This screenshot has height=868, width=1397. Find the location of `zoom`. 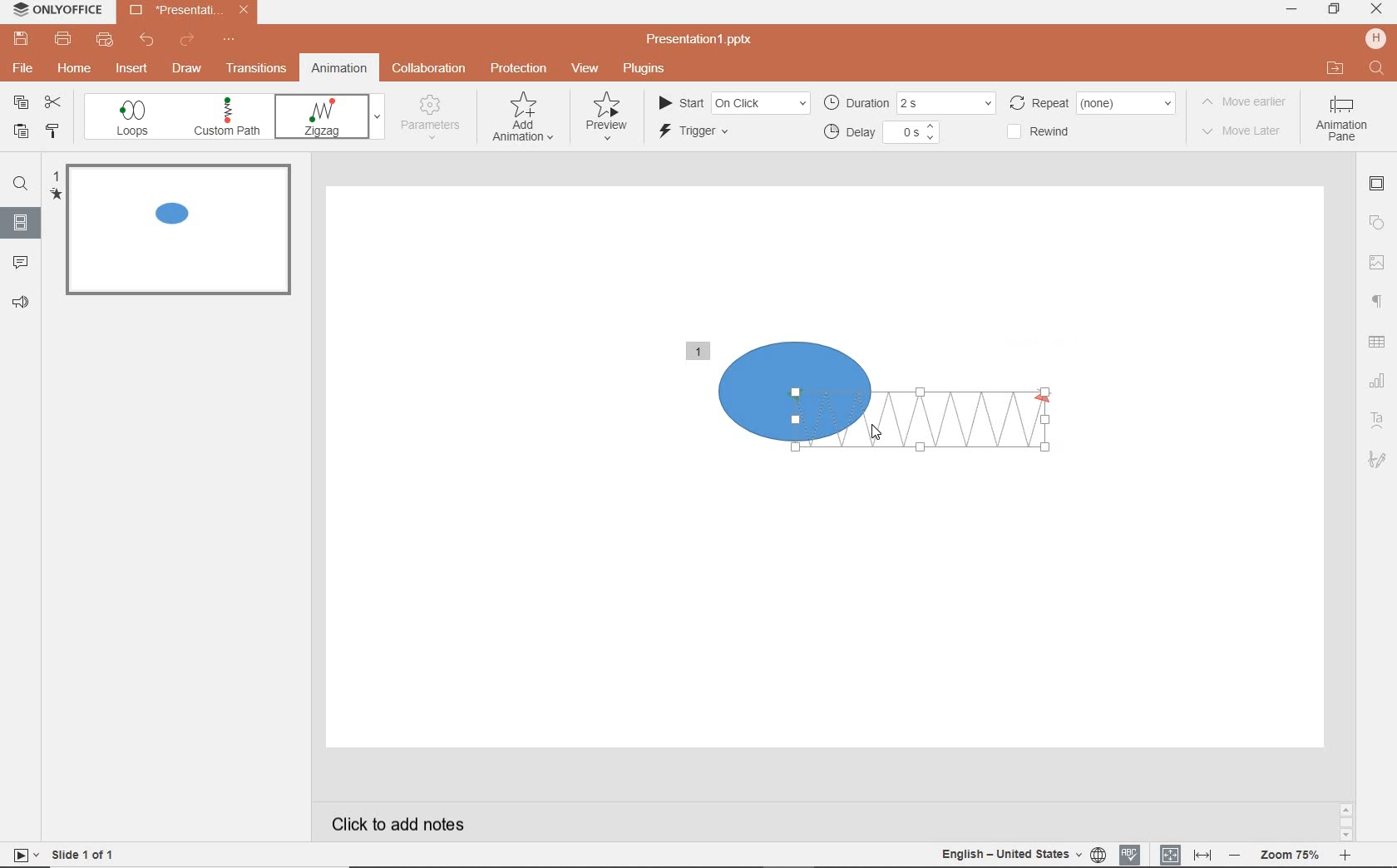

zoom is located at coordinates (1292, 853).